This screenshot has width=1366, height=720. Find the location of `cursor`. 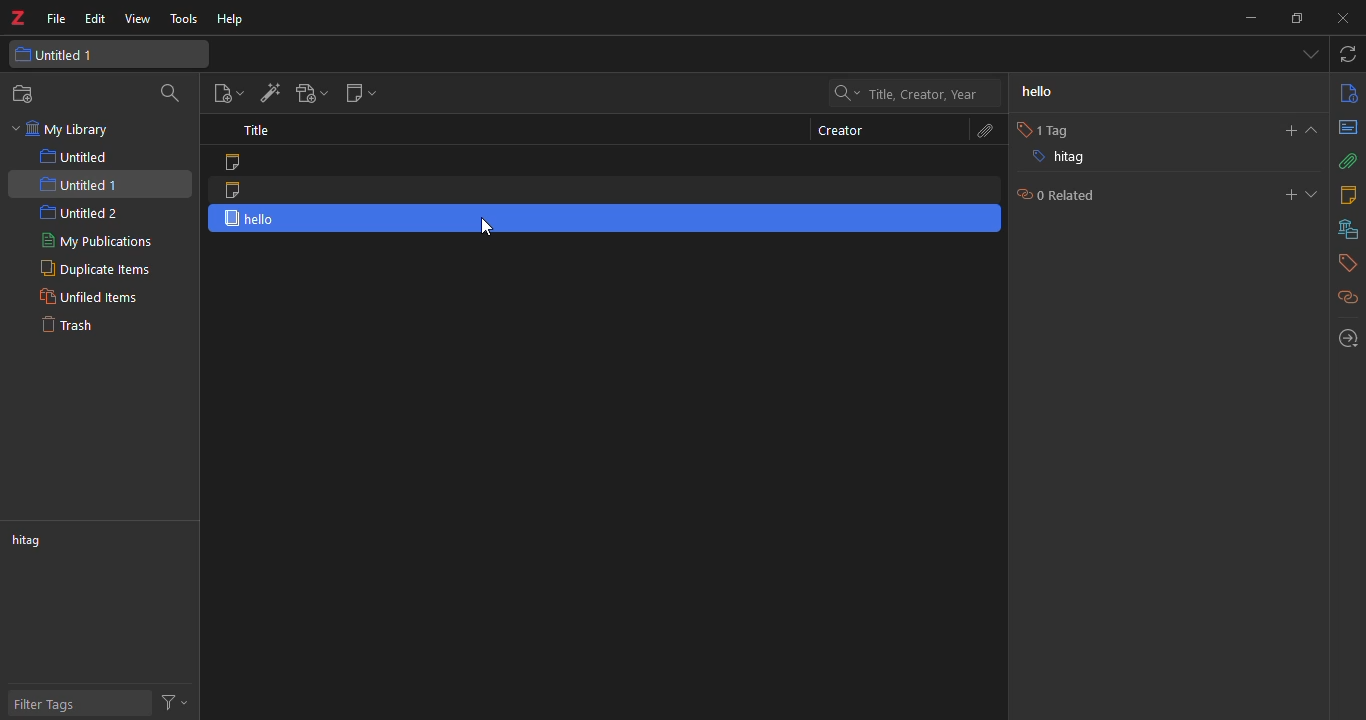

cursor is located at coordinates (494, 227).